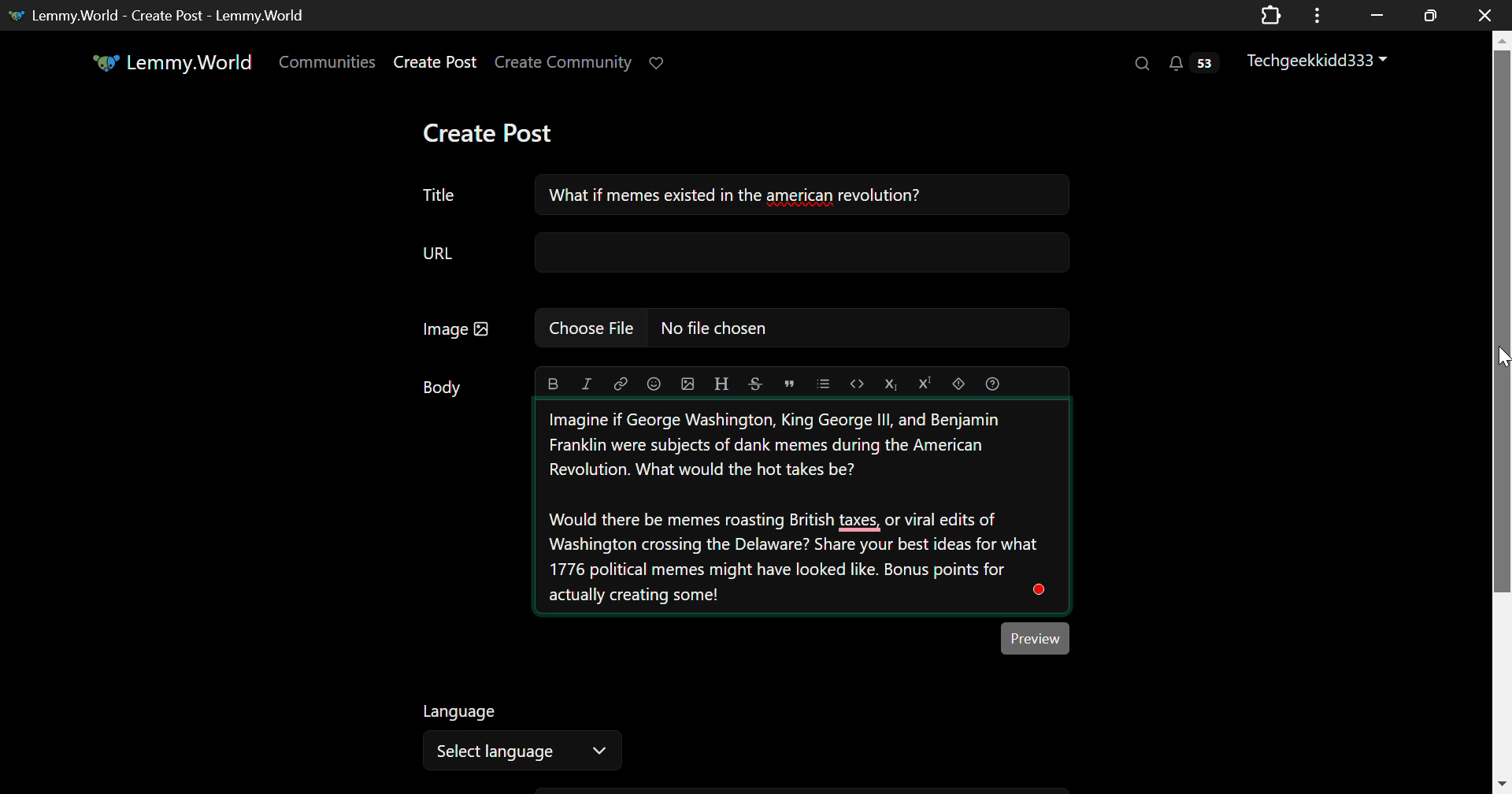 This screenshot has width=1512, height=794. What do you see at coordinates (746, 252) in the screenshot?
I see `URL Field` at bounding box center [746, 252].